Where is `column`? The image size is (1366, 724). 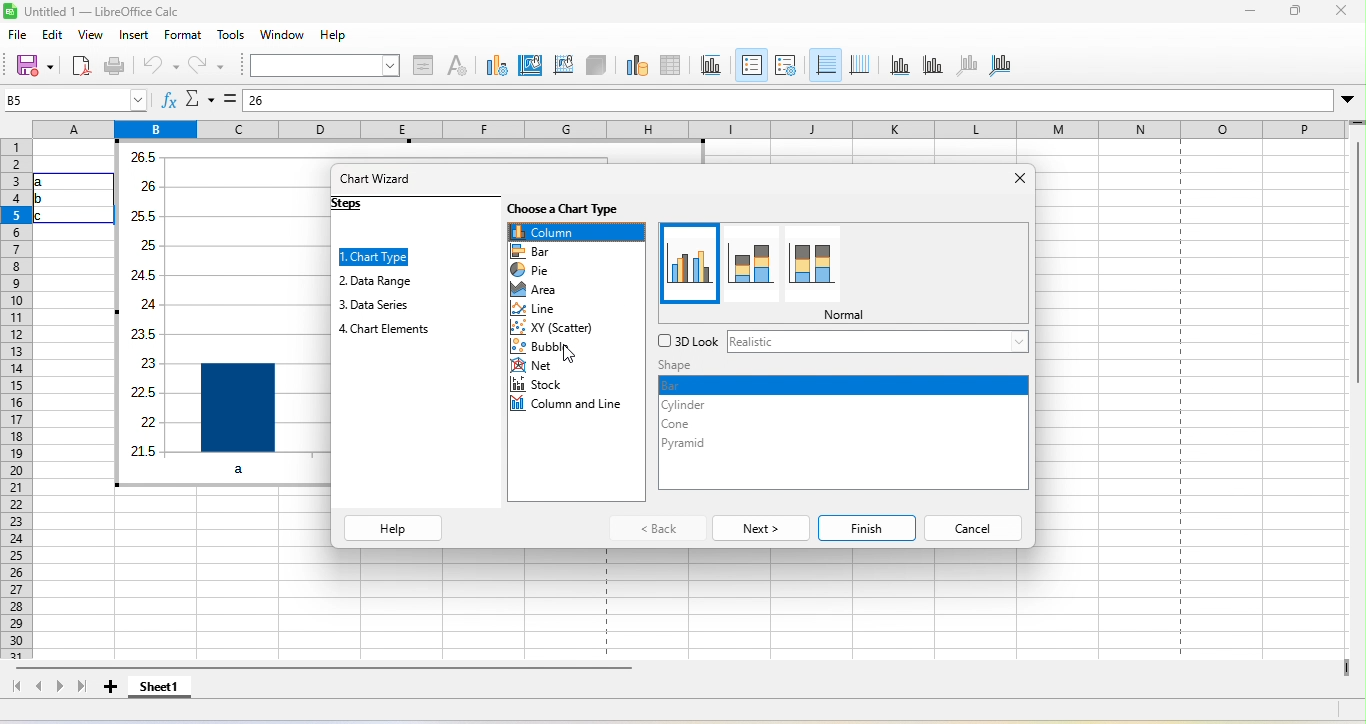
column is located at coordinates (578, 230).